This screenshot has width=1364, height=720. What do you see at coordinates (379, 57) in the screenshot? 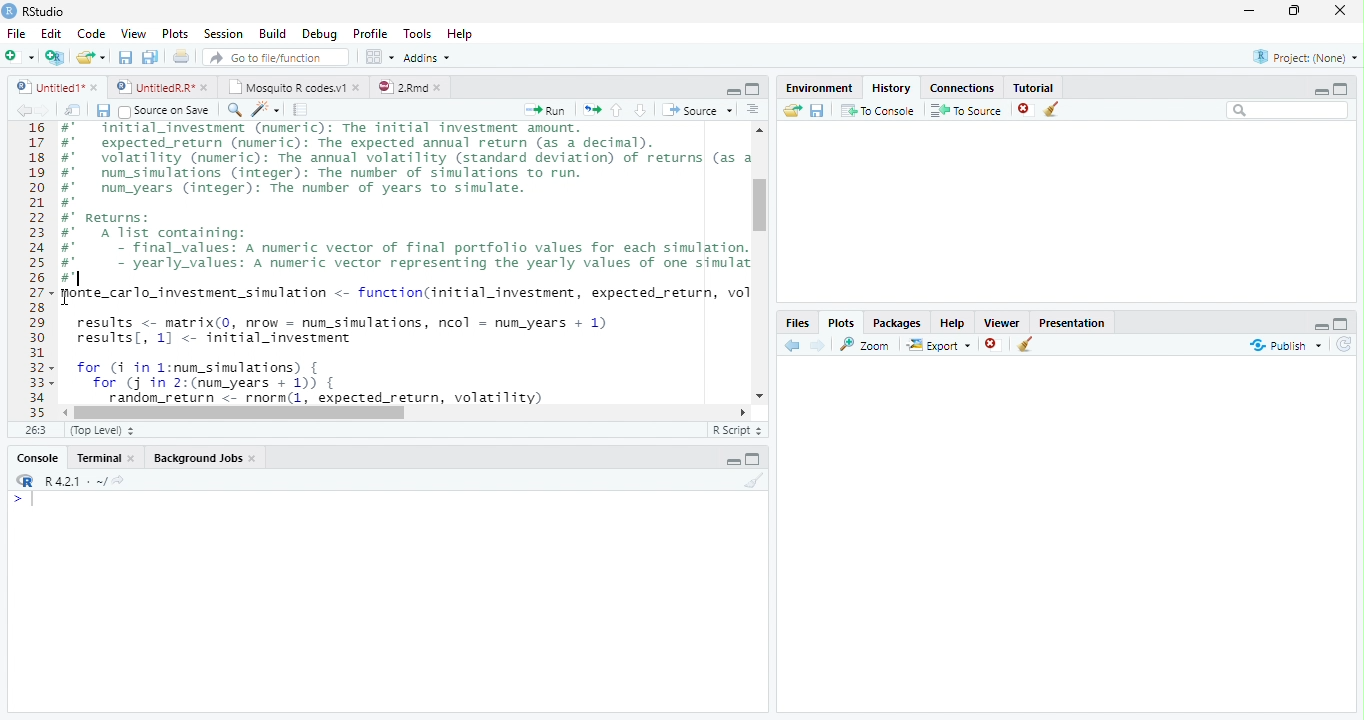
I see `Workspace Panes` at bounding box center [379, 57].